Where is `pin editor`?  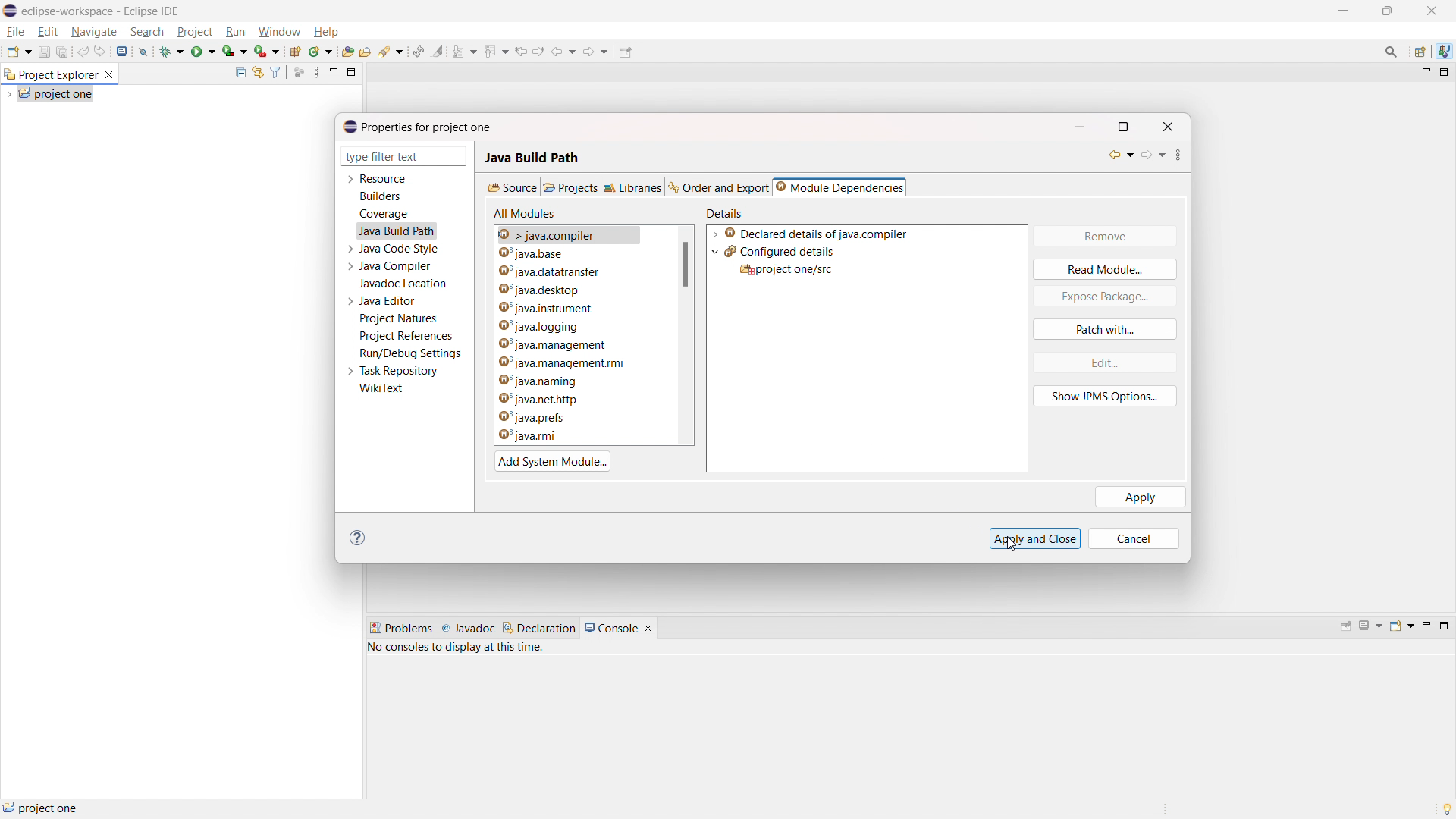 pin editor is located at coordinates (626, 52).